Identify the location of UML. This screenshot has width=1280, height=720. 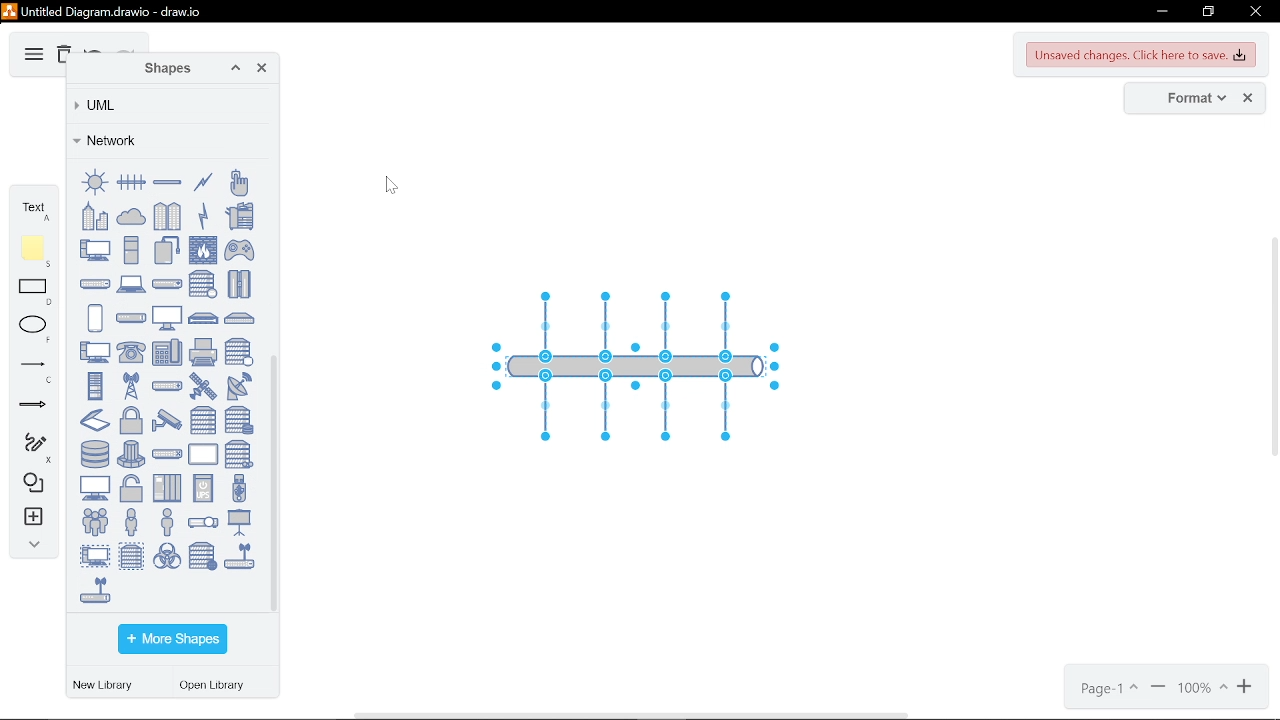
(164, 105).